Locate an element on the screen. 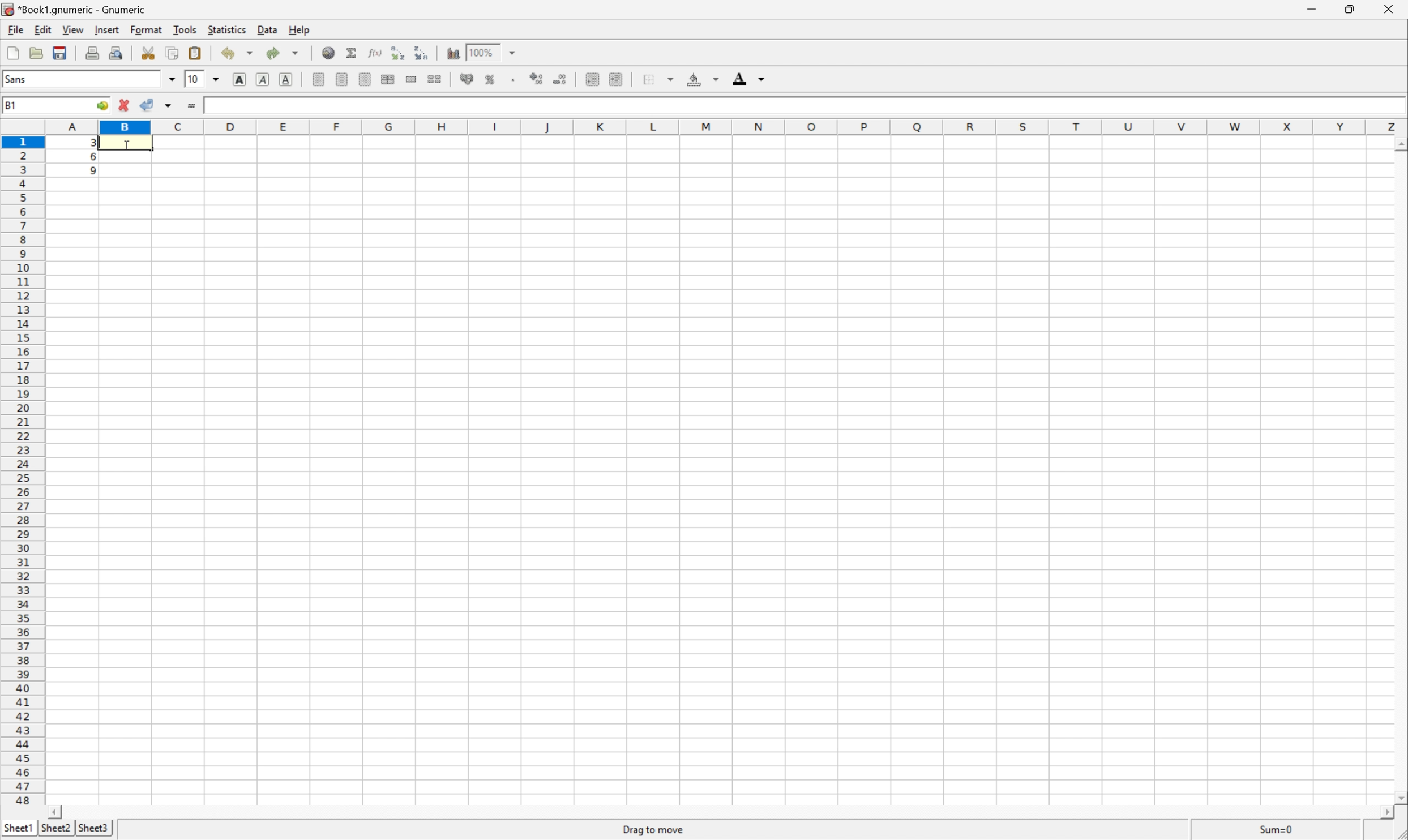 The image size is (1408, 840). Cursor is located at coordinates (126, 147).